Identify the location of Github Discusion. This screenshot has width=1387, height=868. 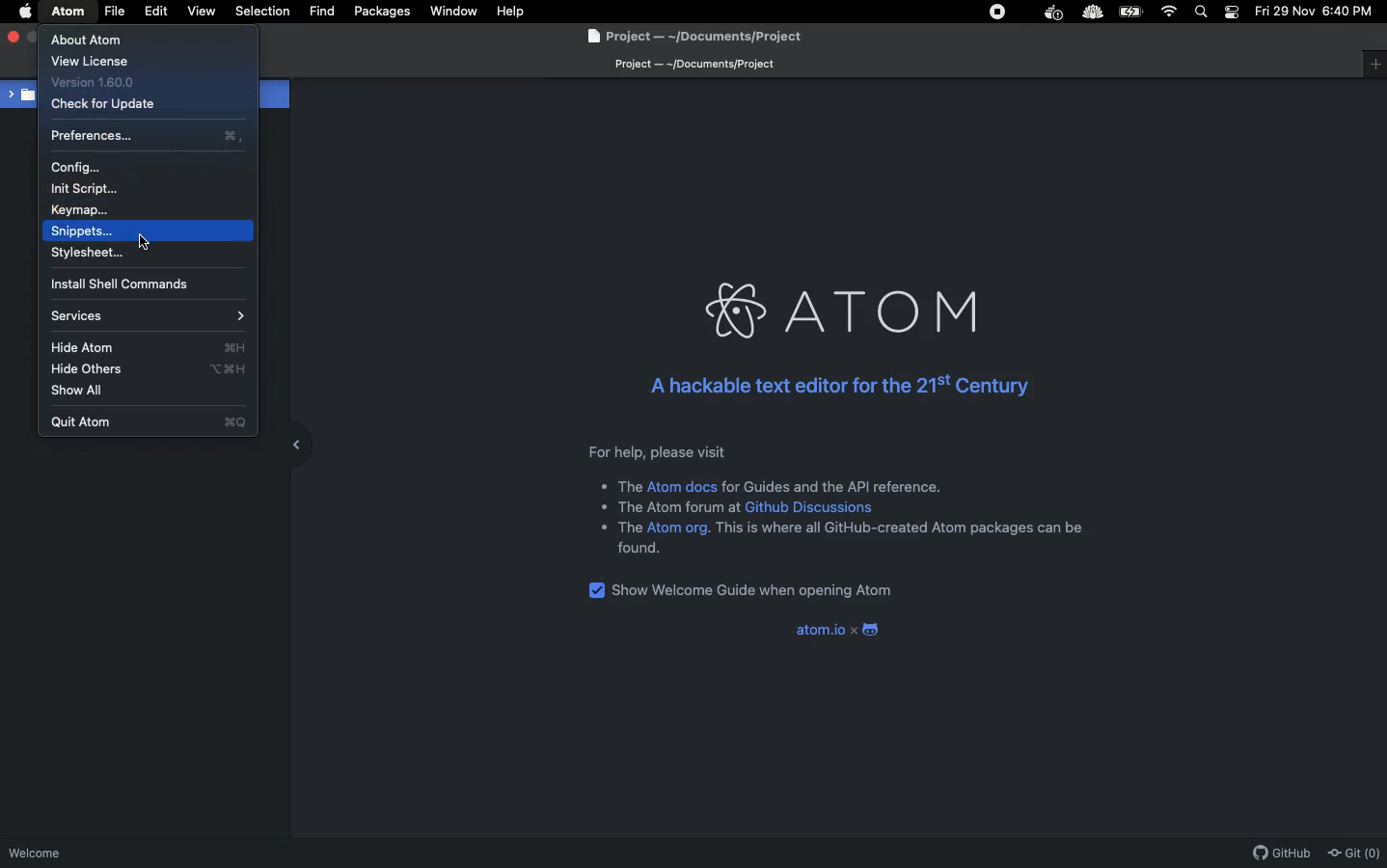
(809, 506).